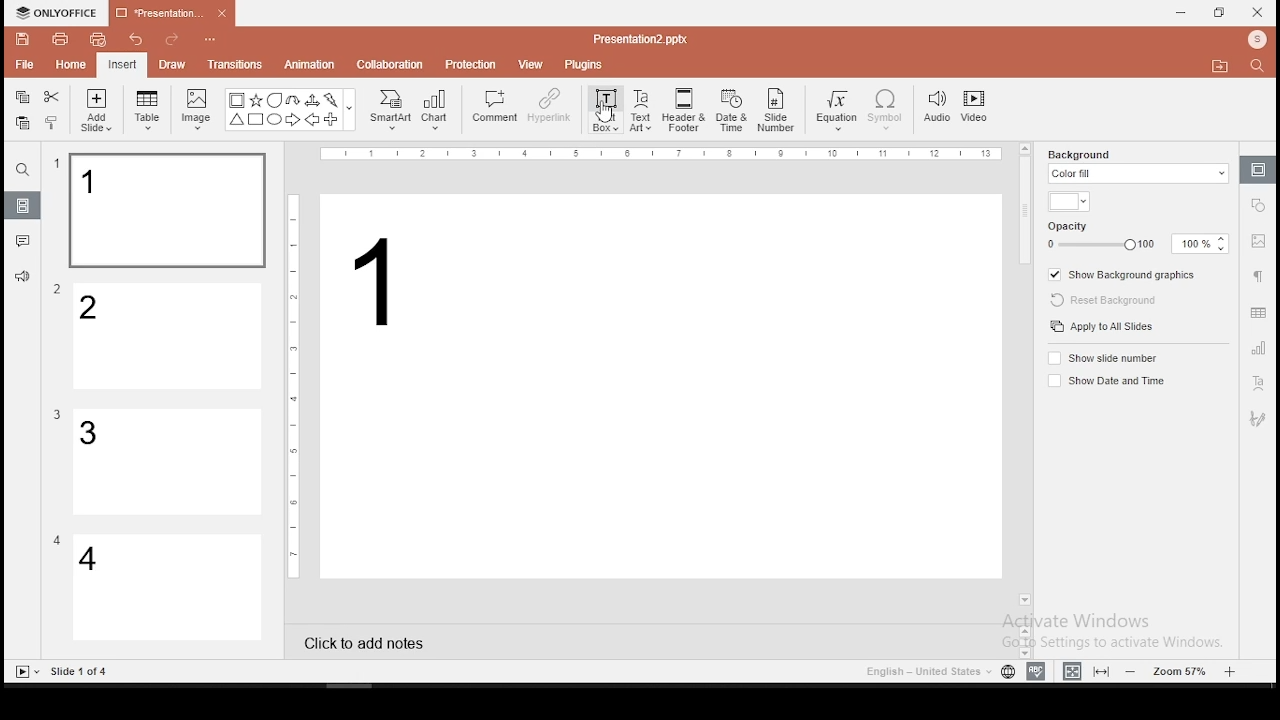 The height and width of the screenshot is (720, 1280). Describe the element at coordinates (1068, 670) in the screenshot. I see `fit to width` at that location.